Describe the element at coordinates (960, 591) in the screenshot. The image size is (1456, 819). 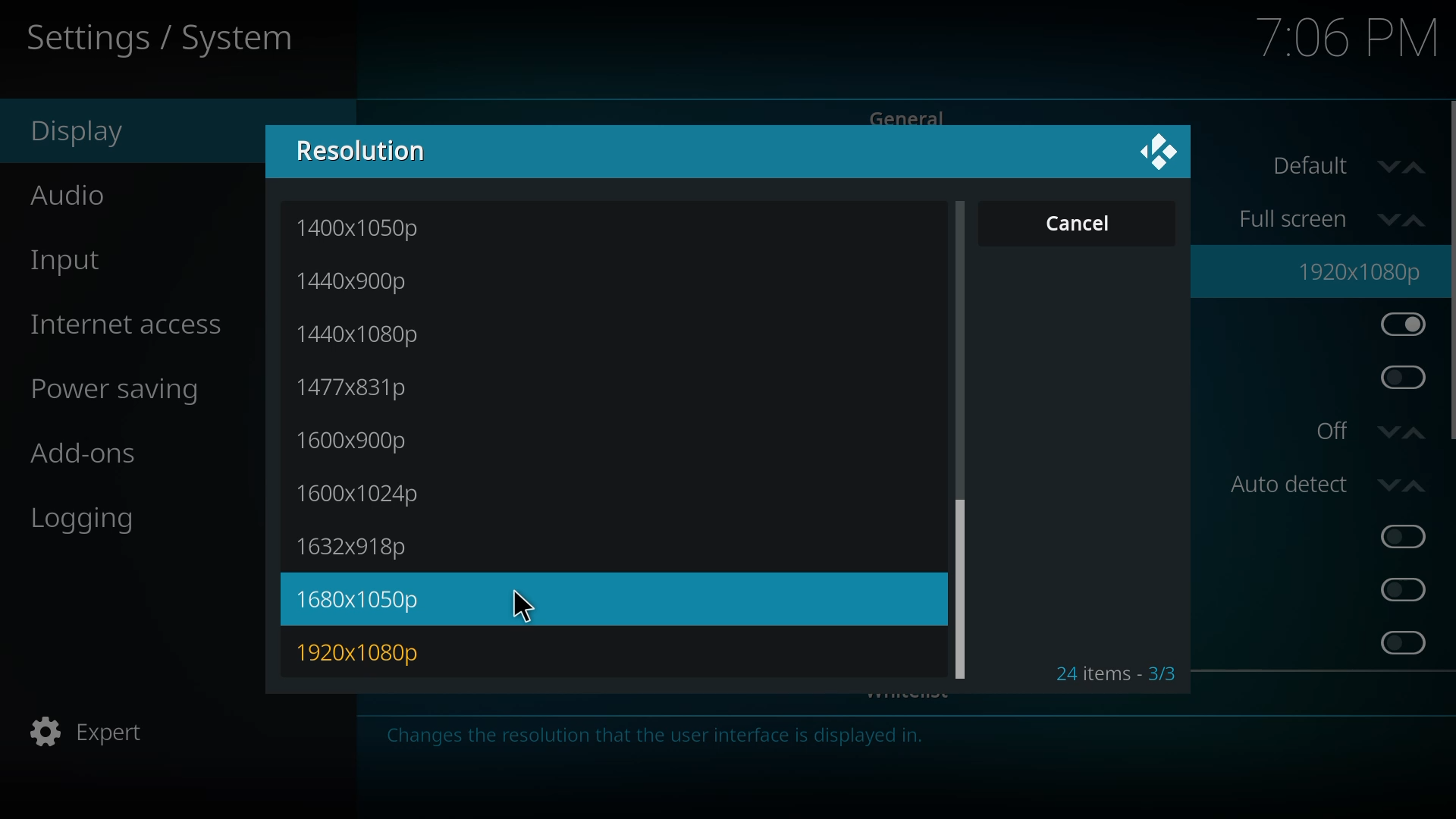
I see `scroll bar` at that location.